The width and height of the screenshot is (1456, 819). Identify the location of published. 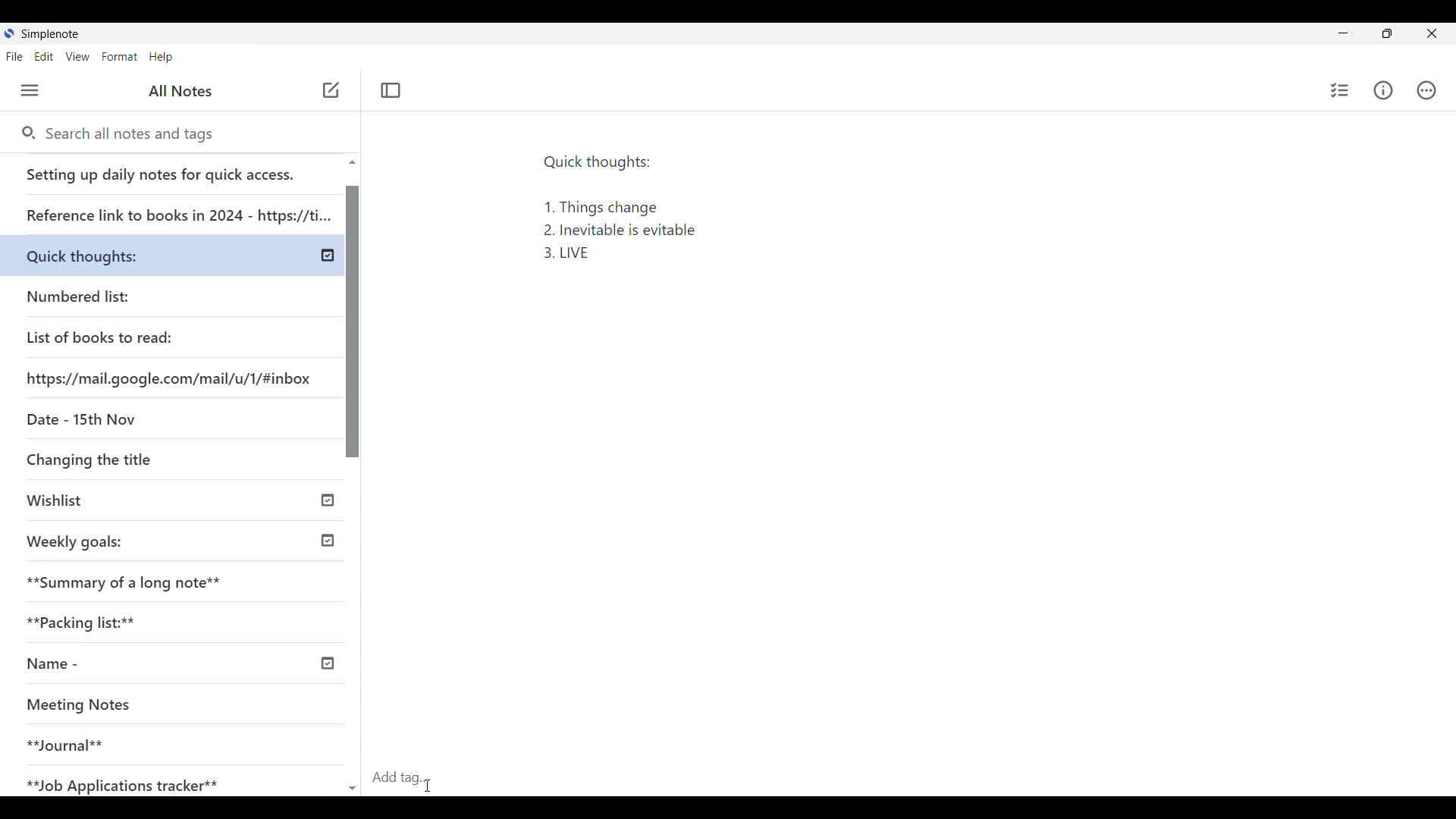
(326, 664).